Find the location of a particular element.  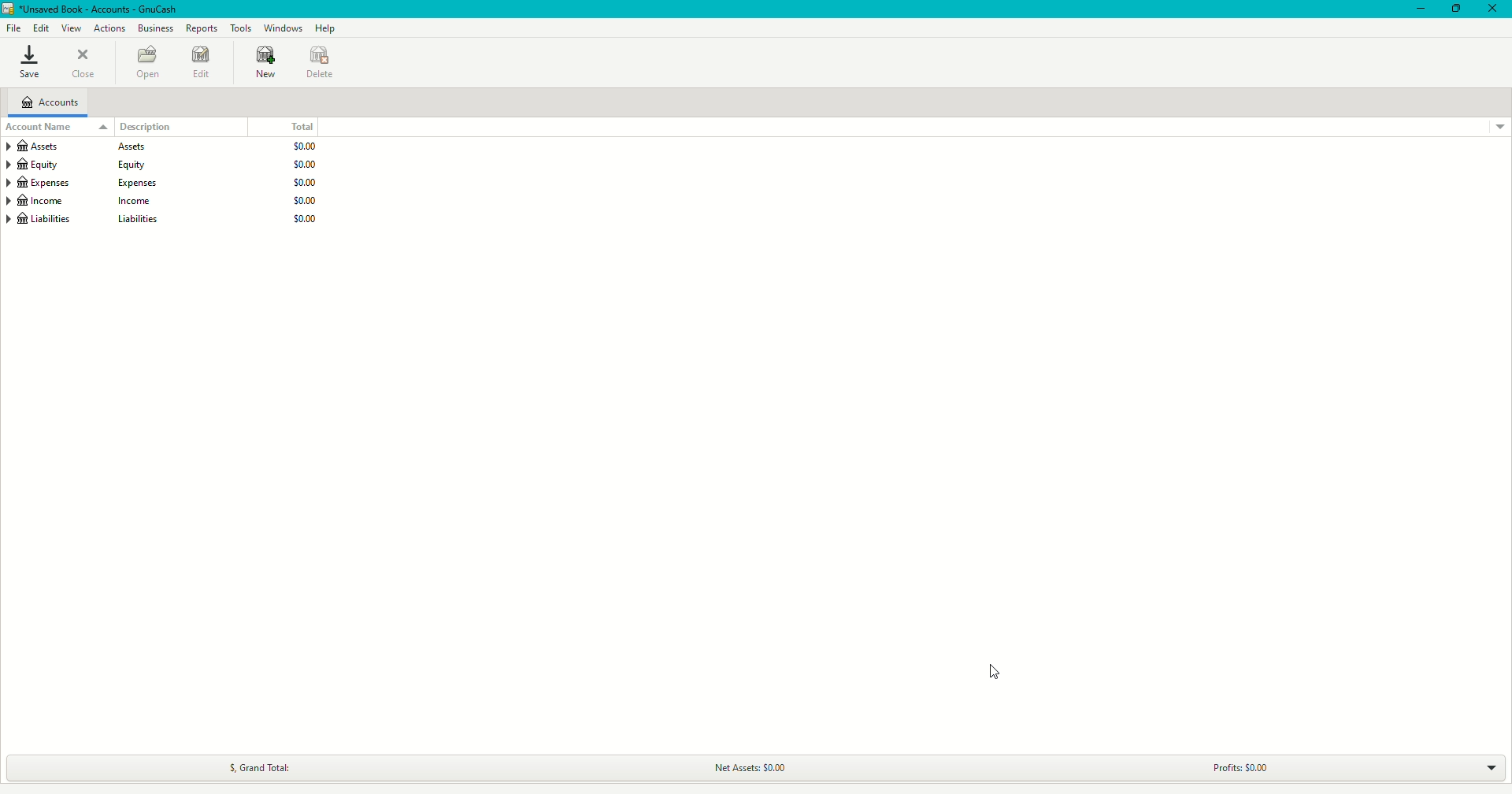

logo is located at coordinates (9, 9).